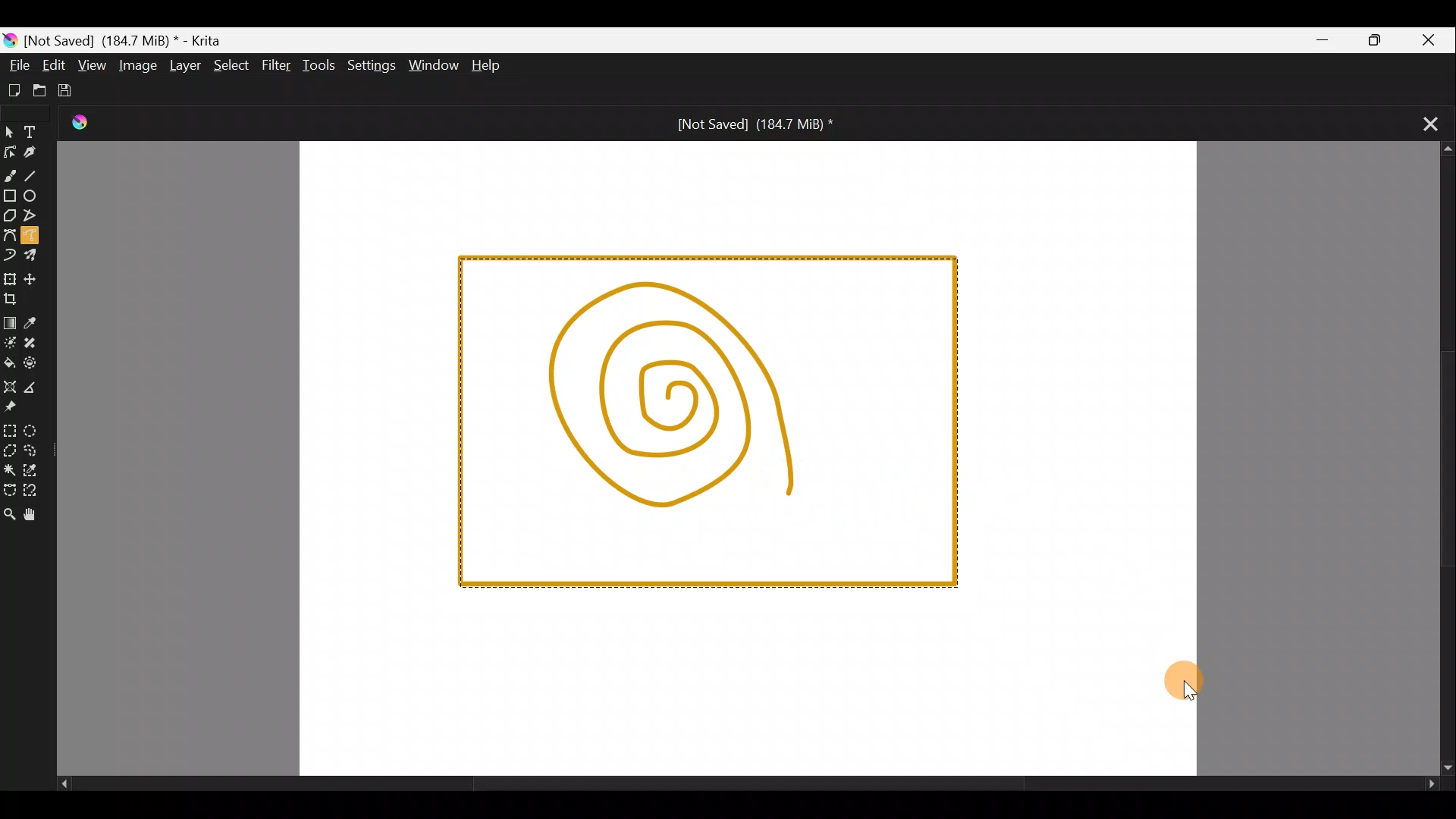 The width and height of the screenshot is (1456, 819). What do you see at coordinates (11, 236) in the screenshot?
I see `Bezier curve tool` at bounding box center [11, 236].